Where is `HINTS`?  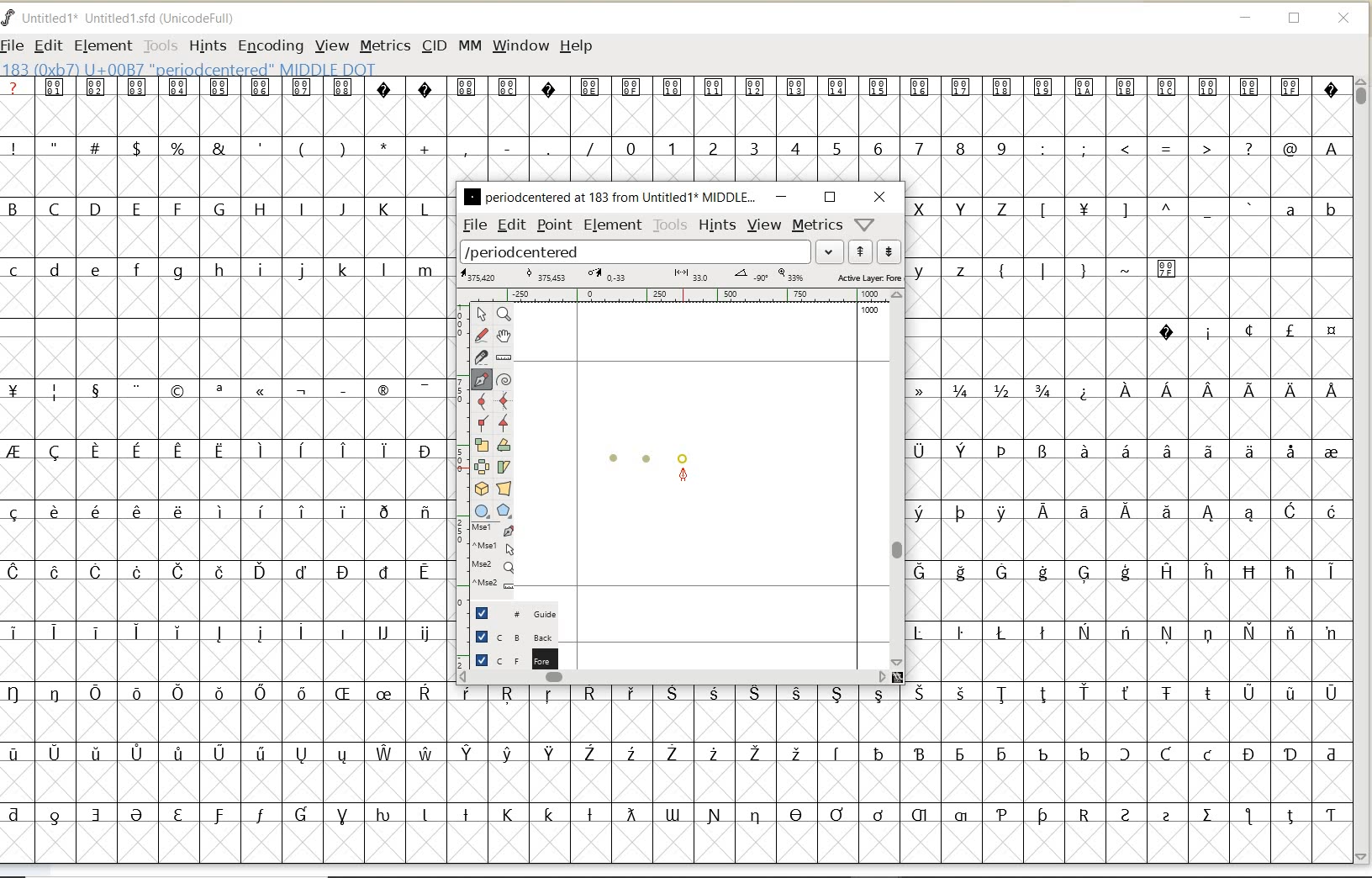 HINTS is located at coordinates (206, 45).